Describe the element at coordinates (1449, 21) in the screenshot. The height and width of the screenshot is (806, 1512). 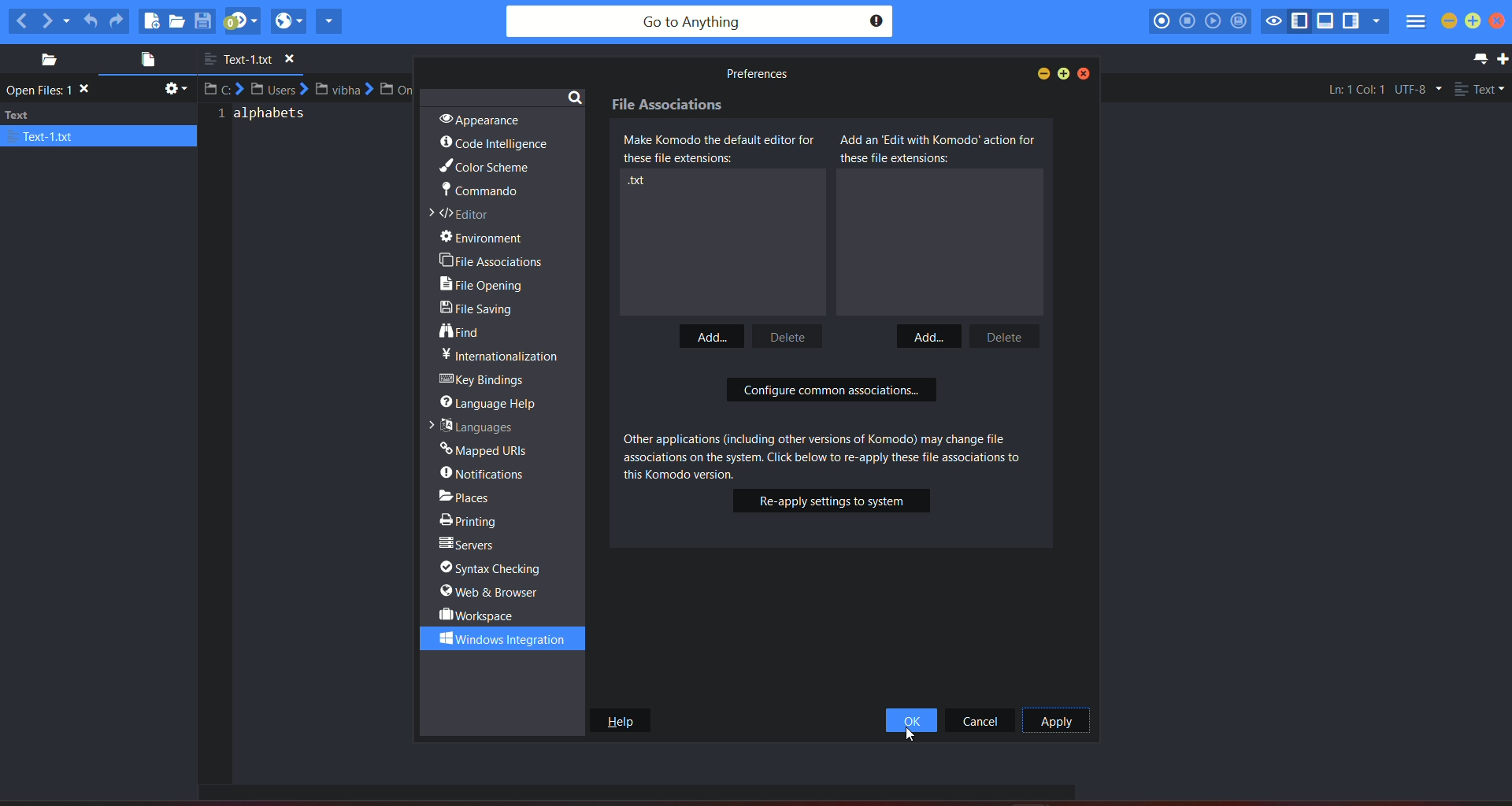
I see `minimize` at that location.